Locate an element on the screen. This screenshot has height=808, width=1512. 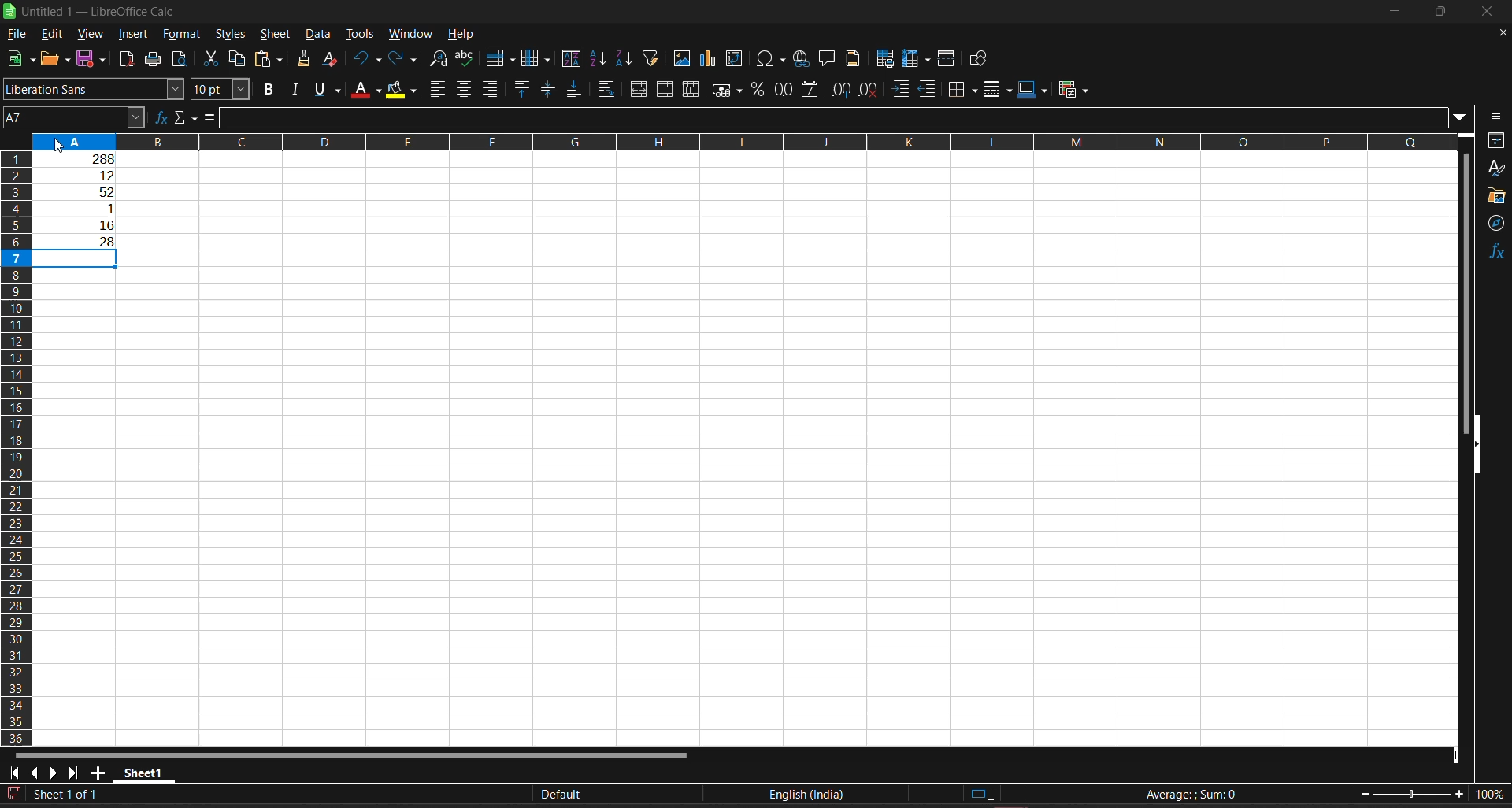
row name is located at coordinates (19, 446).